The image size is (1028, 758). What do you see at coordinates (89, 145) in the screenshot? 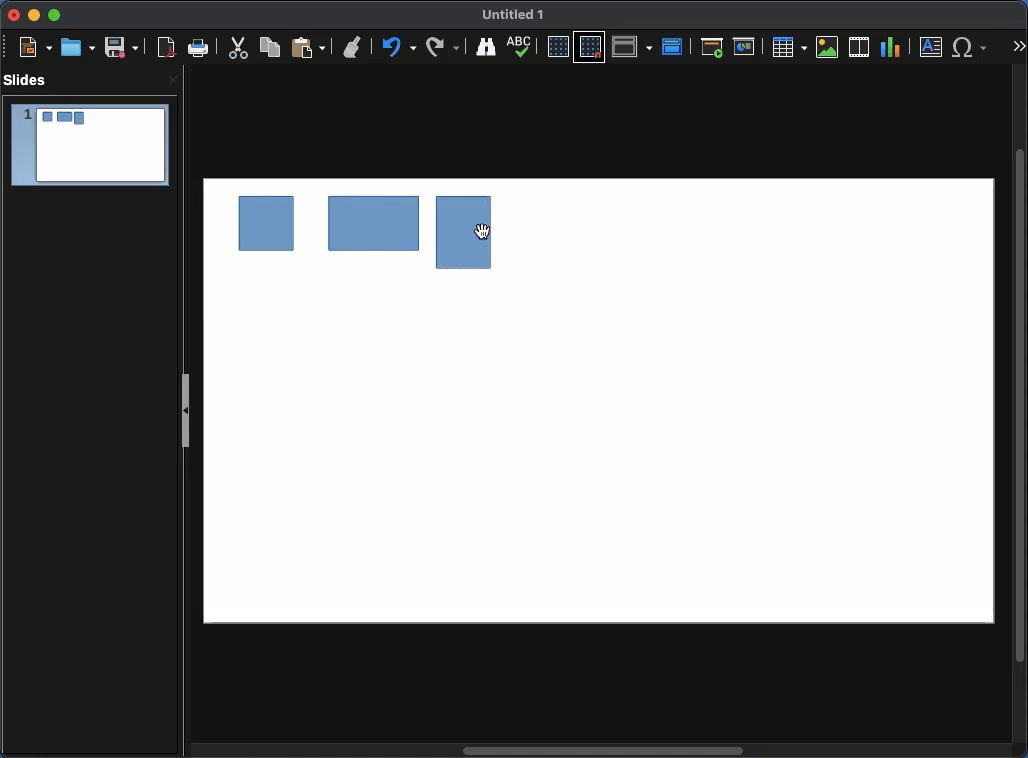
I see `Slide` at bounding box center [89, 145].